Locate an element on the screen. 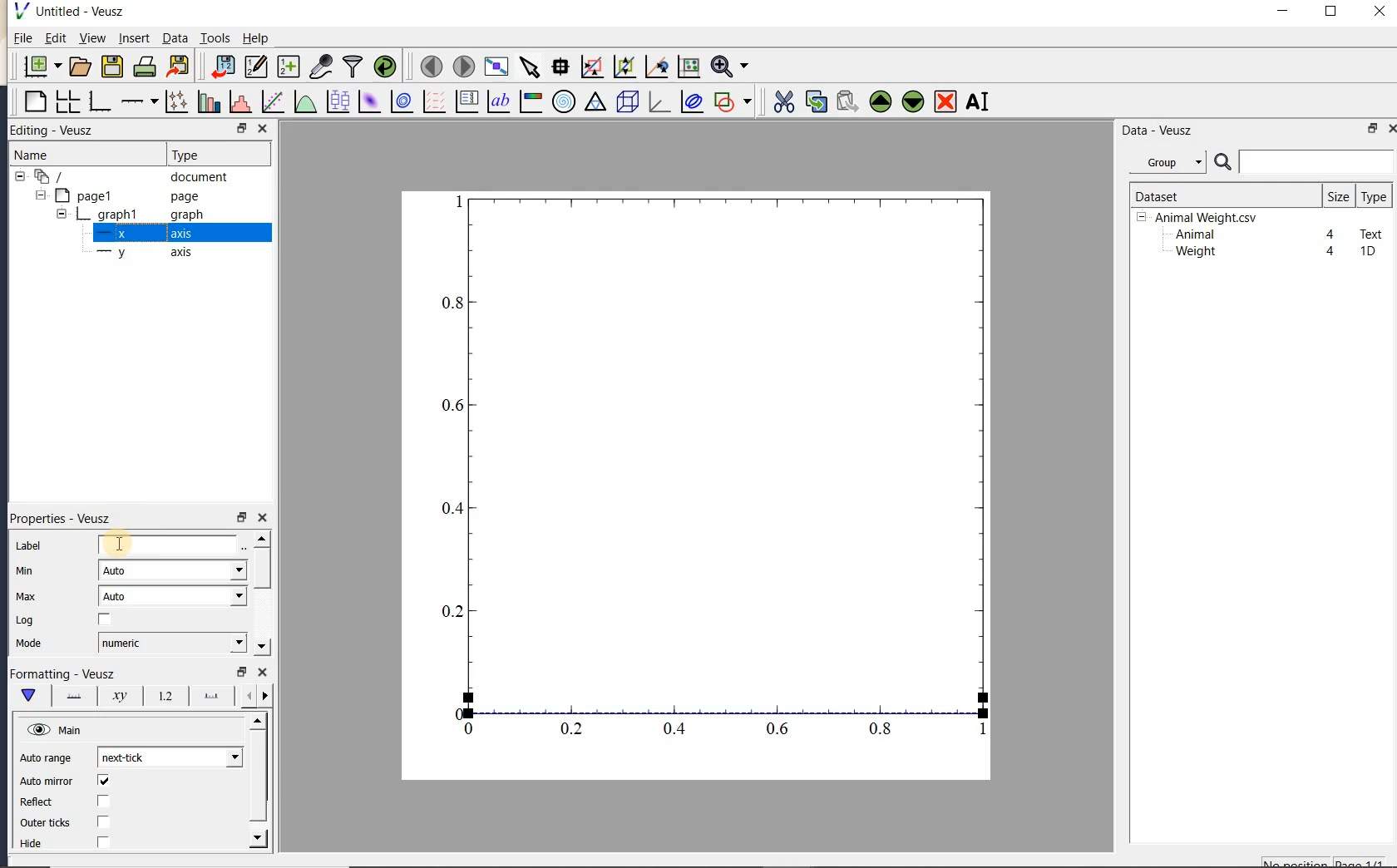 This screenshot has height=868, width=1397. plot bar charts is located at coordinates (209, 101).